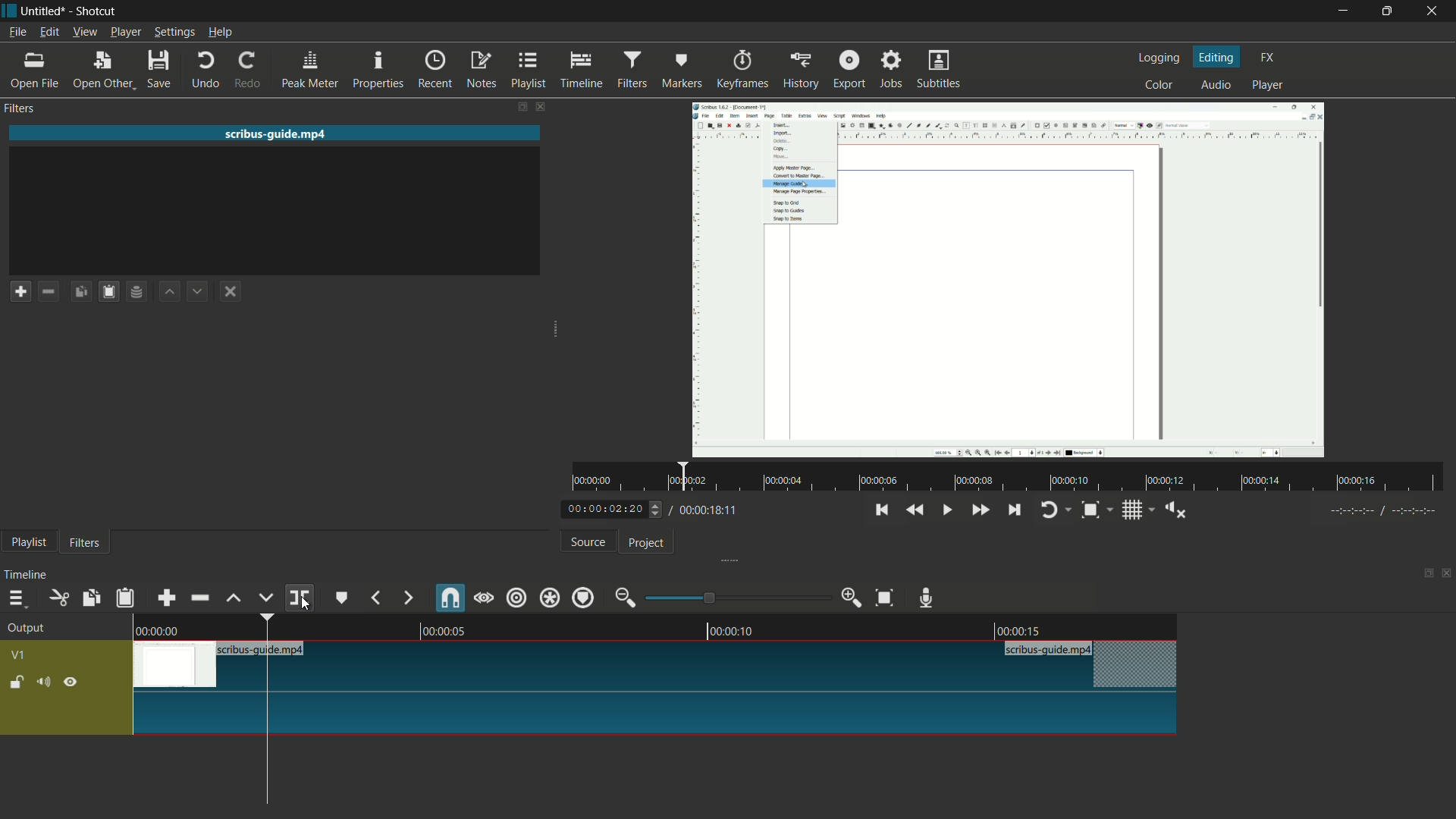 The image size is (1456, 819). What do you see at coordinates (850, 598) in the screenshot?
I see `zoom in` at bounding box center [850, 598].